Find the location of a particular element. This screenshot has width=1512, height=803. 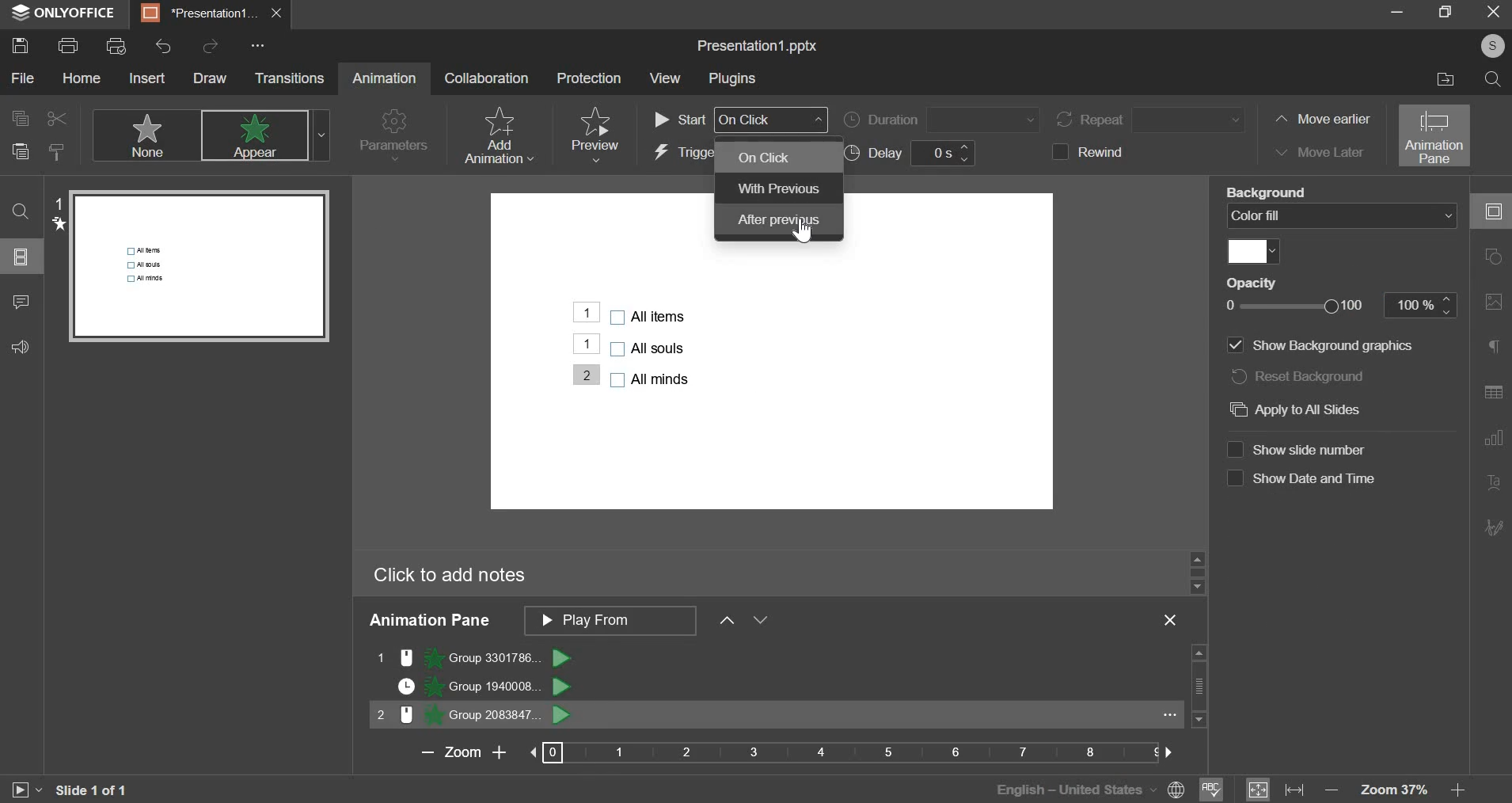

preview is located at coordinates (594, 134).